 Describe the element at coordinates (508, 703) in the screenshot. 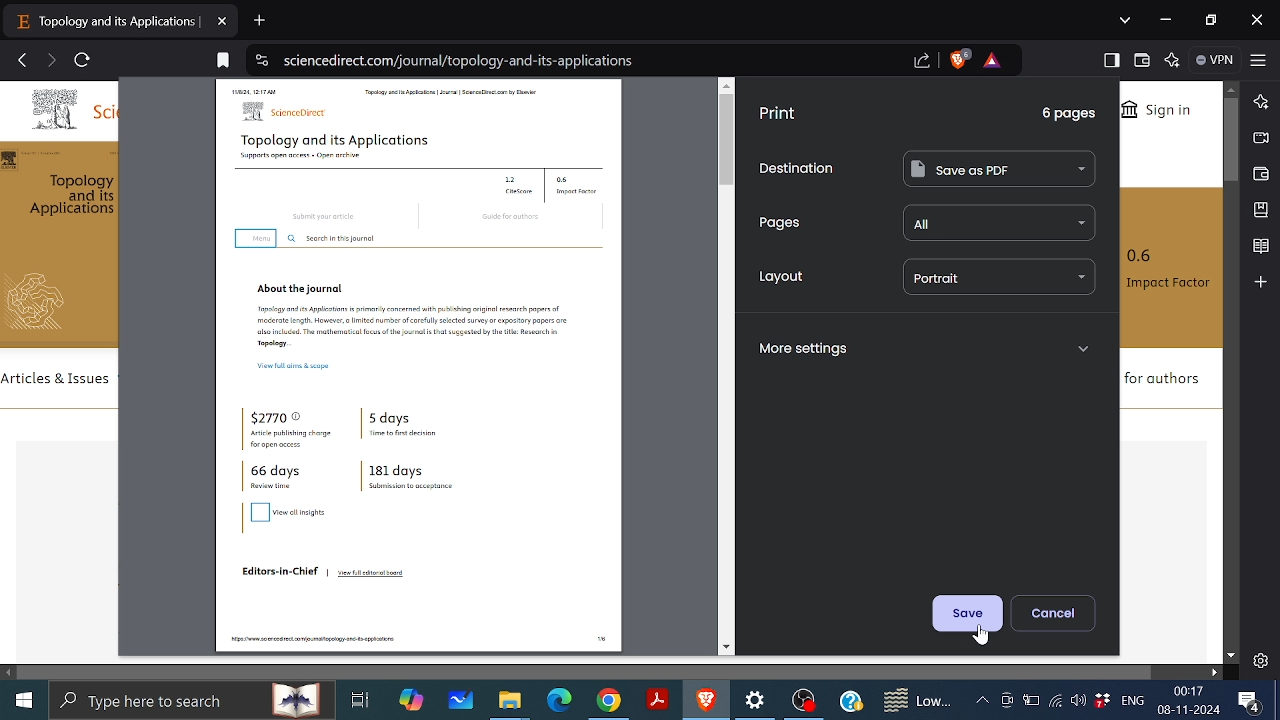

I see `Files` at that location.